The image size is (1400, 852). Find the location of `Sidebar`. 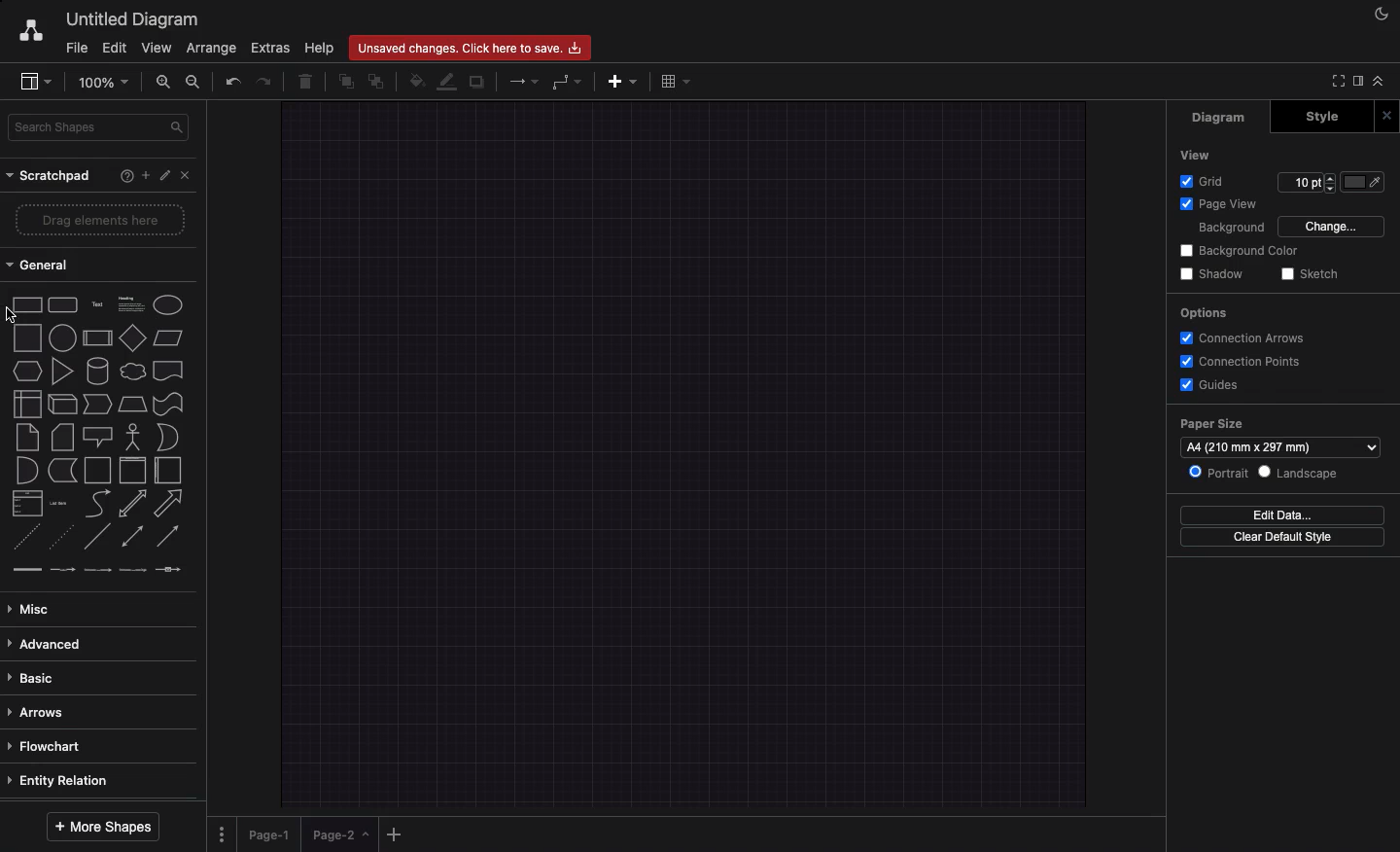

Sidebar is located at coordinates (37, 83).